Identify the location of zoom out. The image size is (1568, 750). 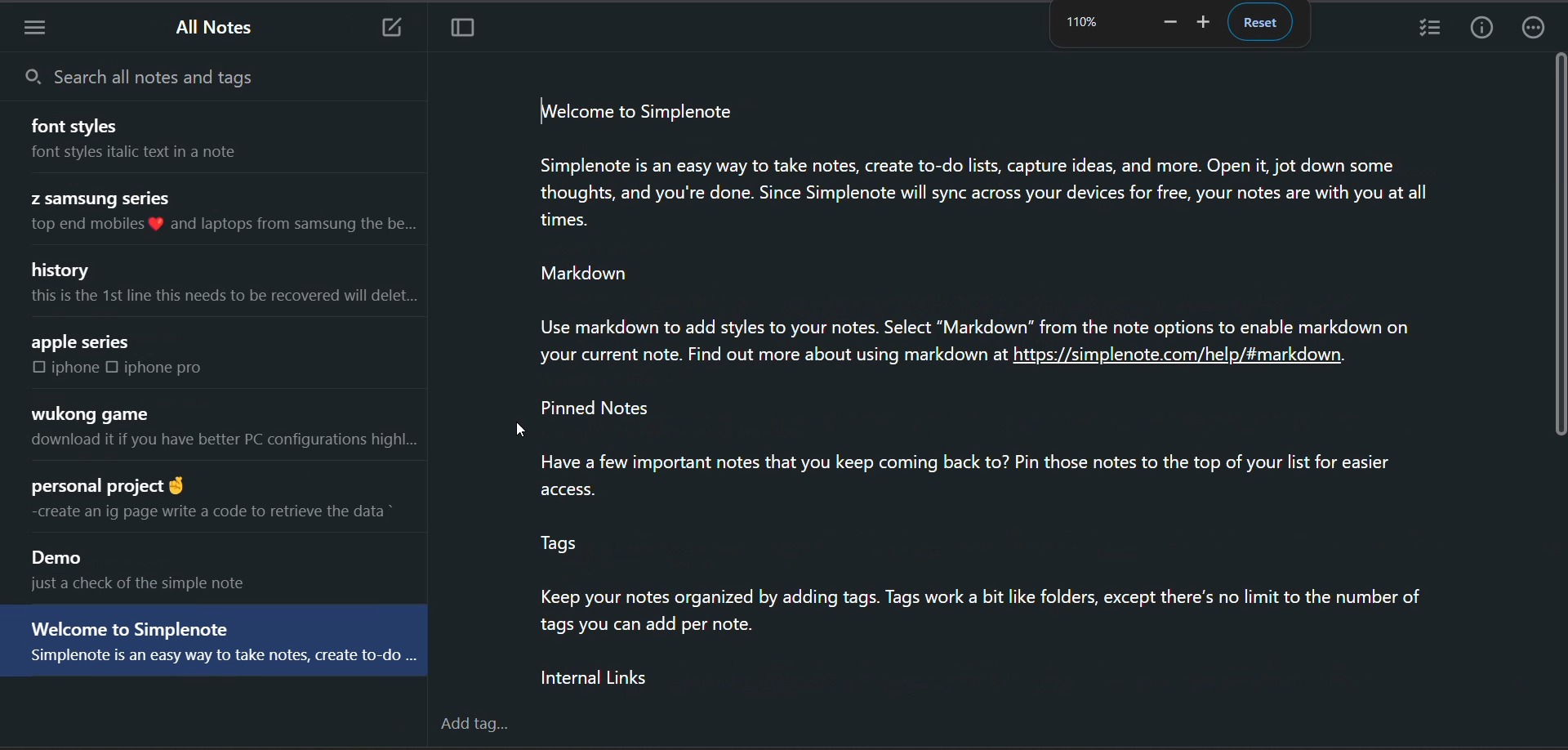
(1169, 22).